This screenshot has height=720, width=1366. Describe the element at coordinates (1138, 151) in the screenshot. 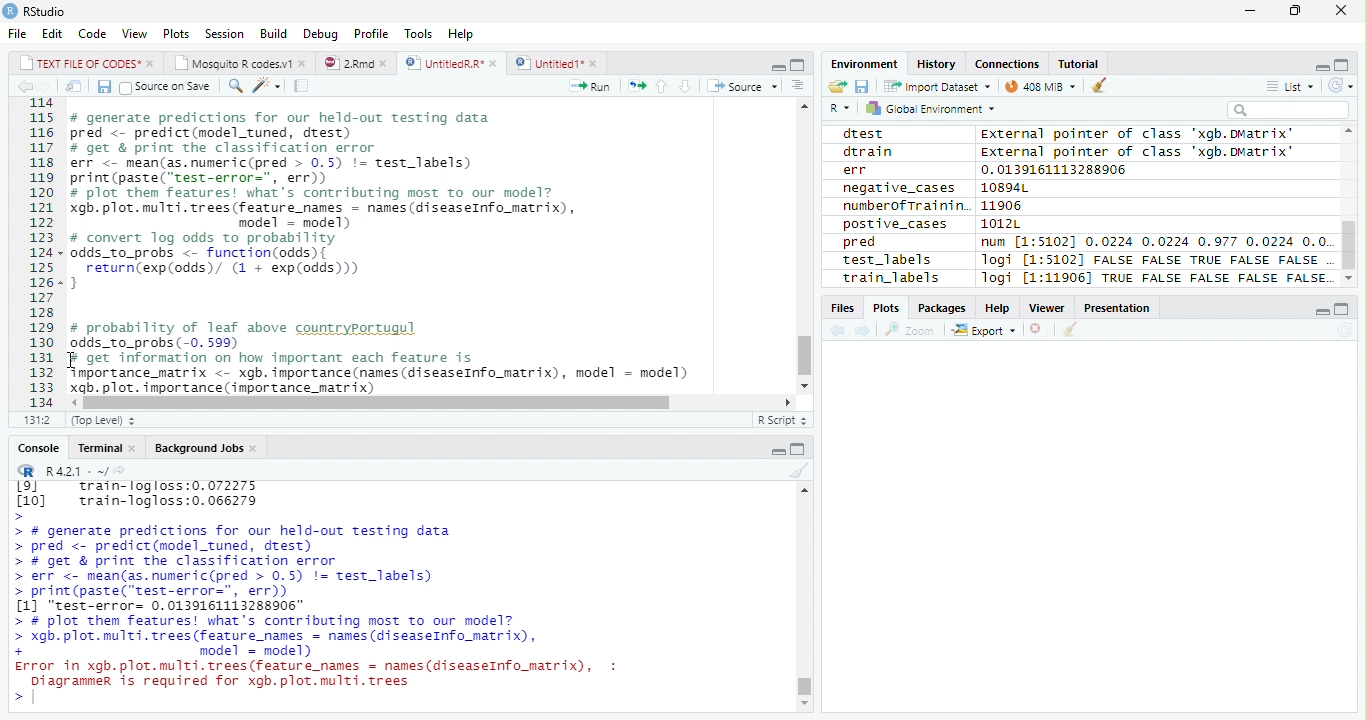

I see `External pointer of class "xgb.DMatrix'` at that location.